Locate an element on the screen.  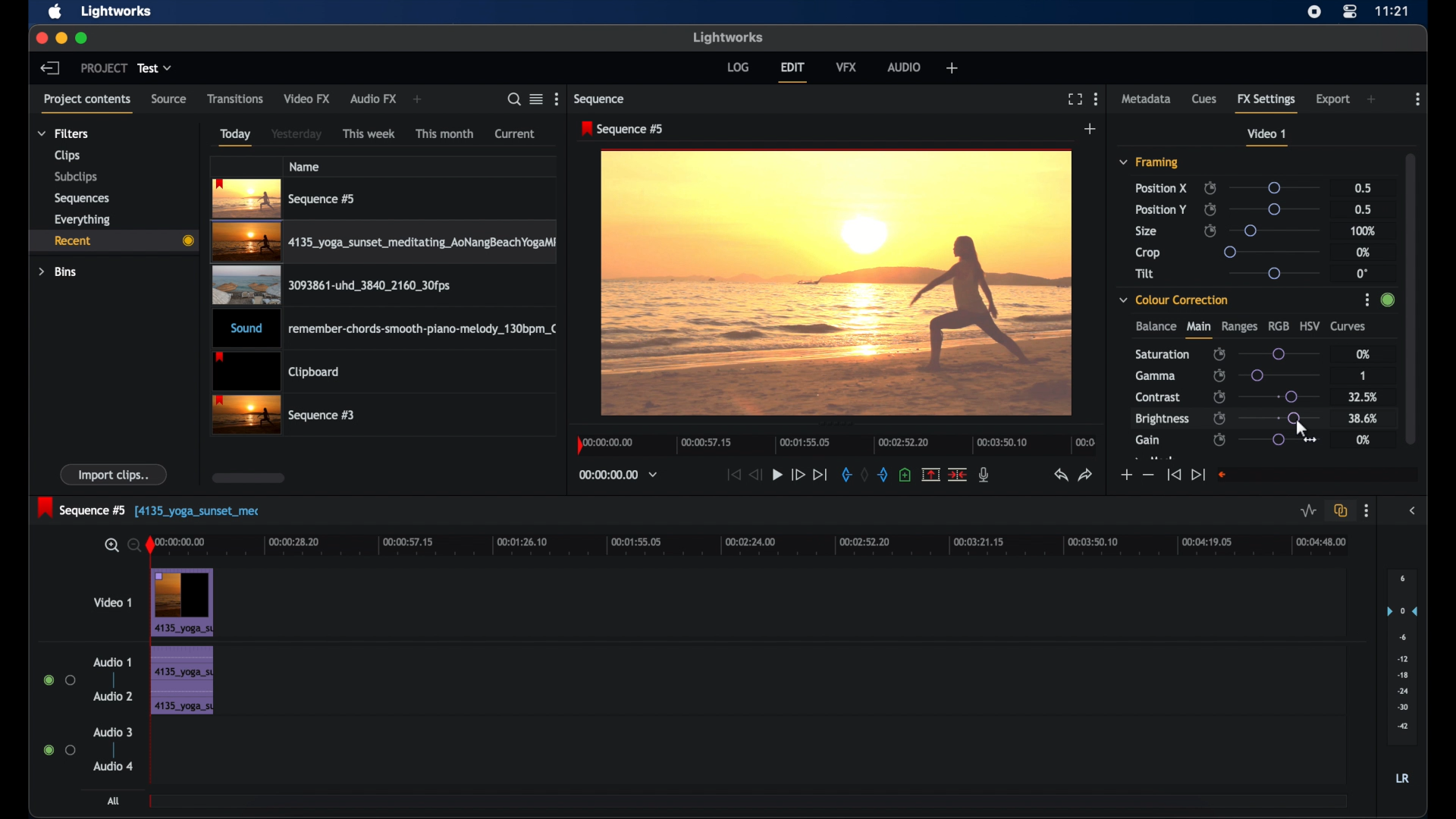
full screen is located at coordinates (1075, 99).